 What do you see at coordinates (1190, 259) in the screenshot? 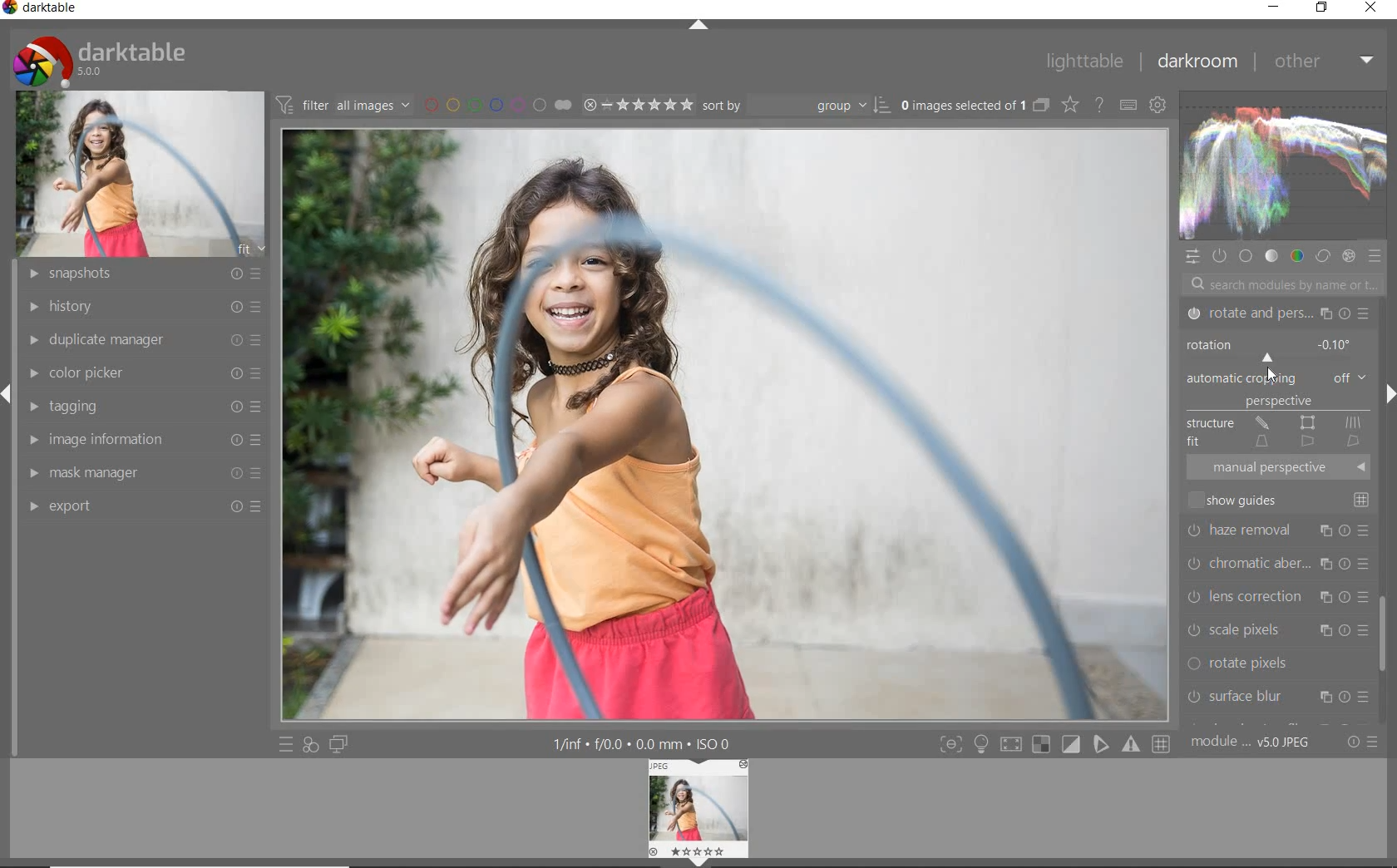
I see `quick access panel` at bounding box center [1190, 259].